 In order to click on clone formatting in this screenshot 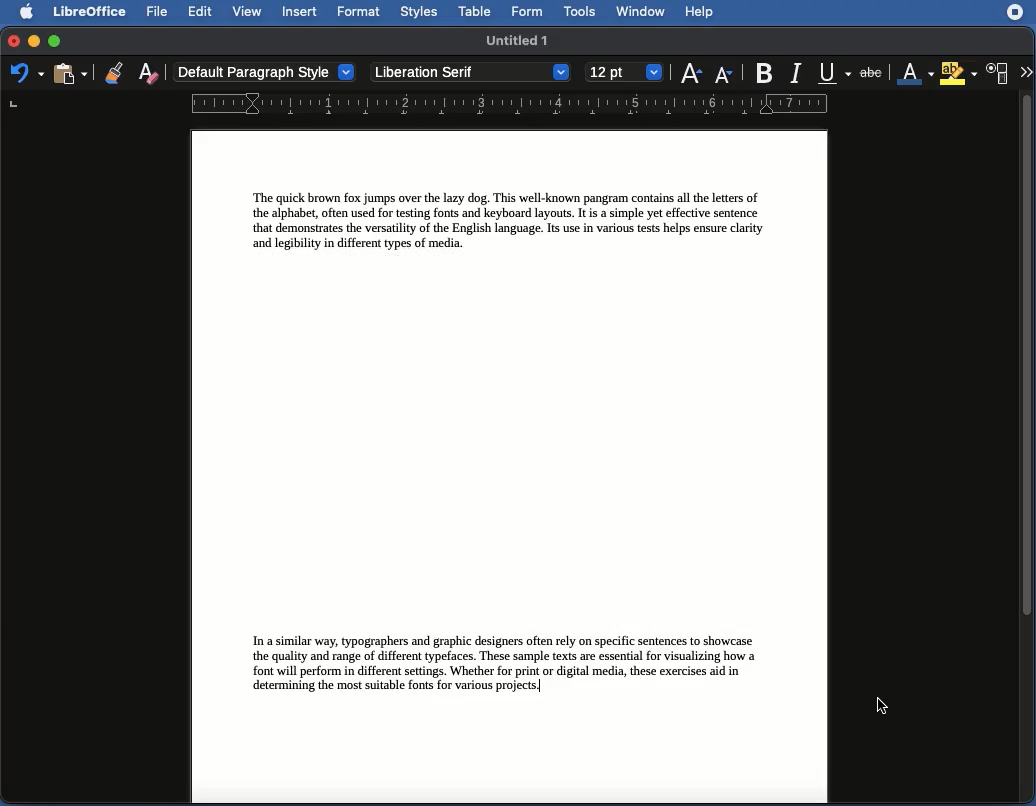, I will do `click(108, 72)`.